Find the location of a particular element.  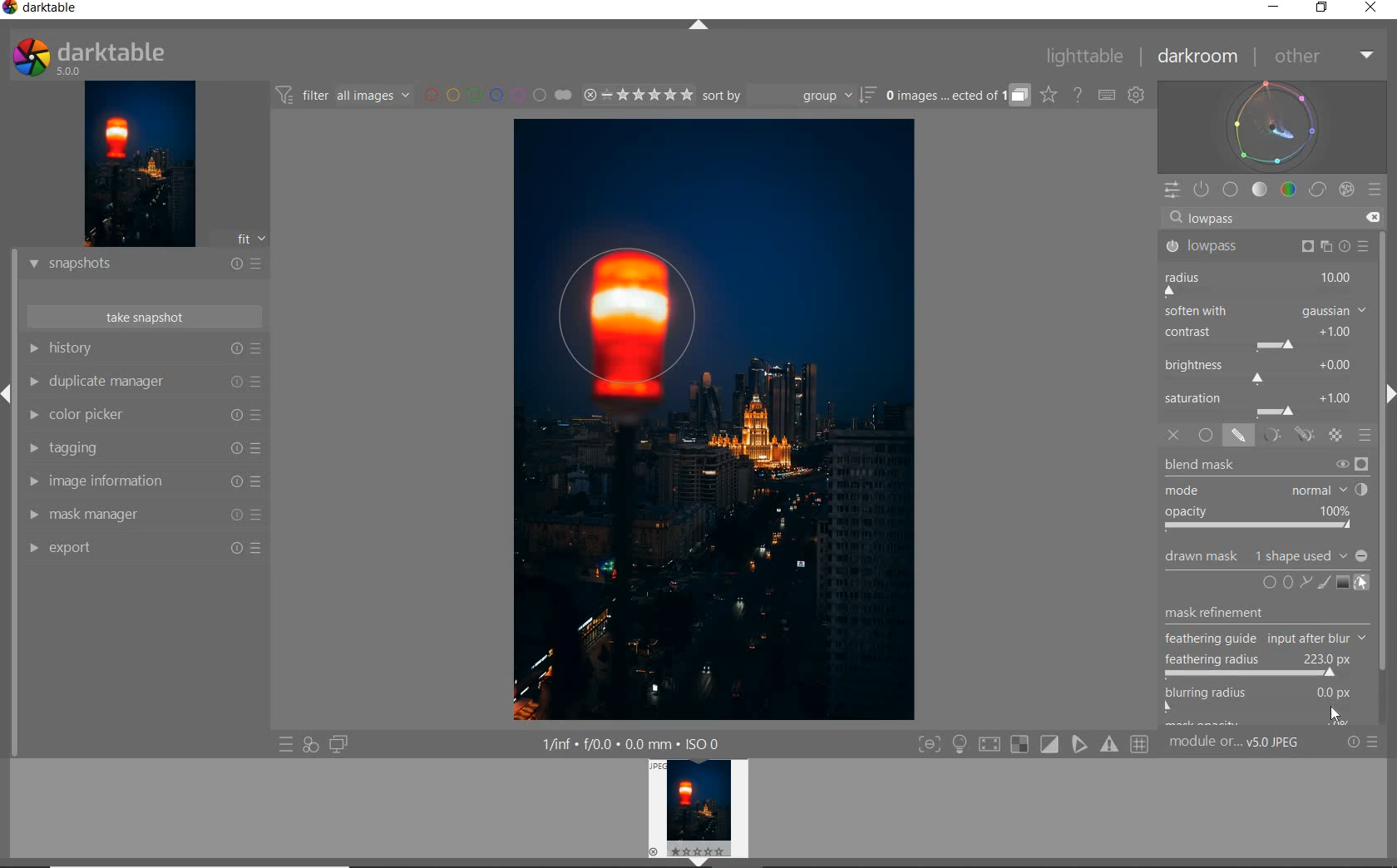

QUICK ACCESS TO PRESET is located at coordinates (286, 747).